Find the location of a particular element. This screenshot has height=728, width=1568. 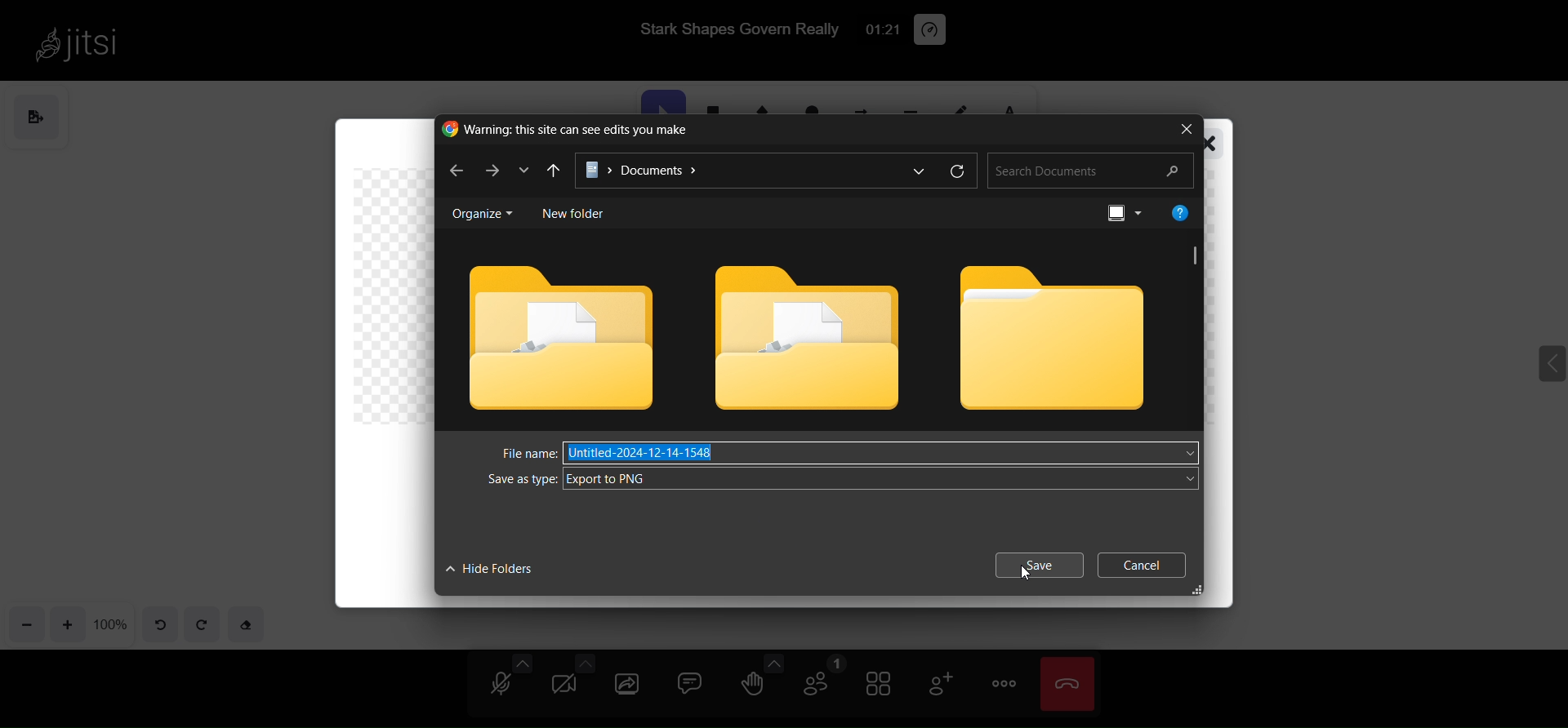

dropdown is located at coordinates (520, 170).